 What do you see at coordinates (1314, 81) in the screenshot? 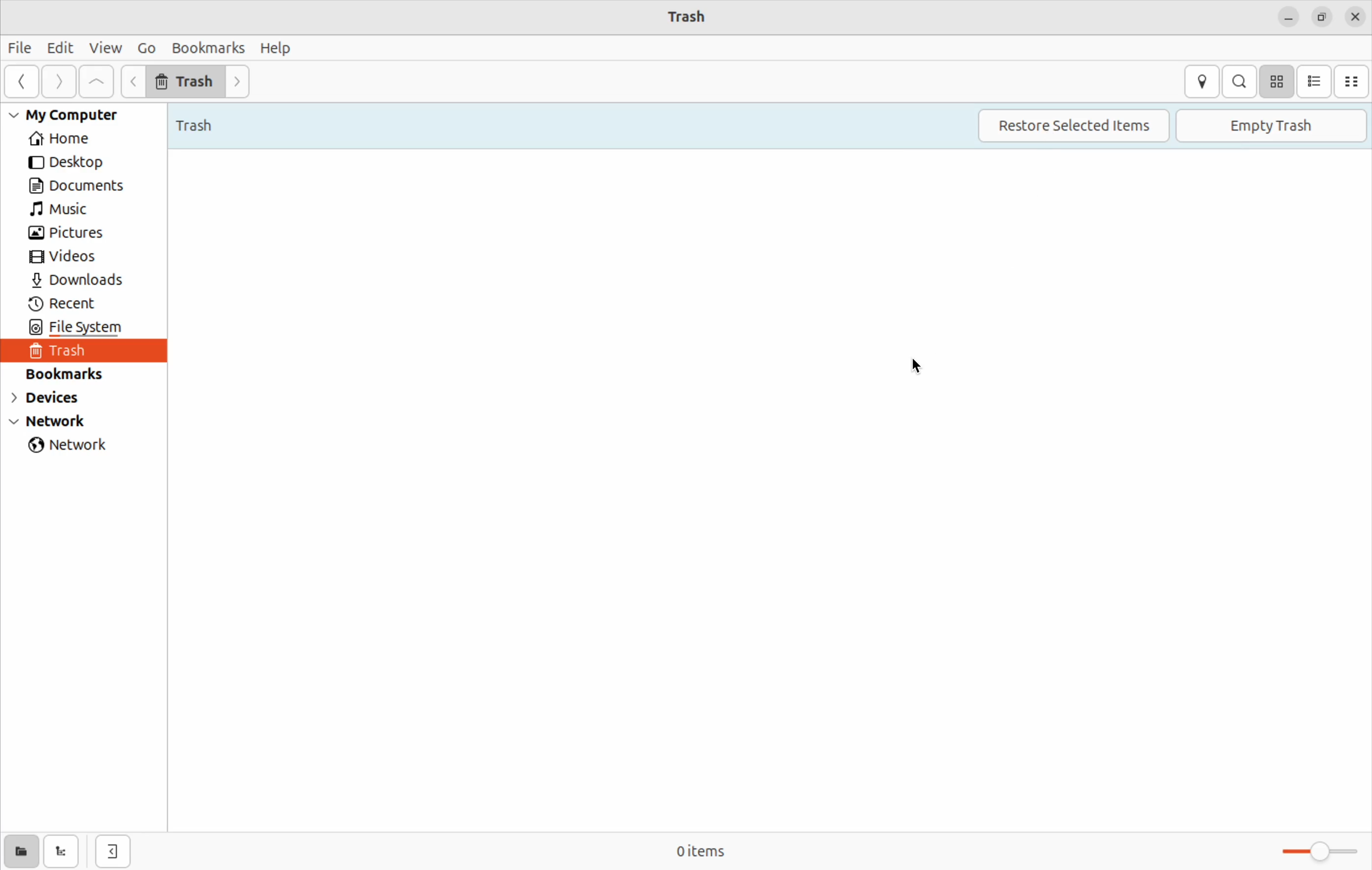
I see `bullet ist` at bounding box center [1314, 81].